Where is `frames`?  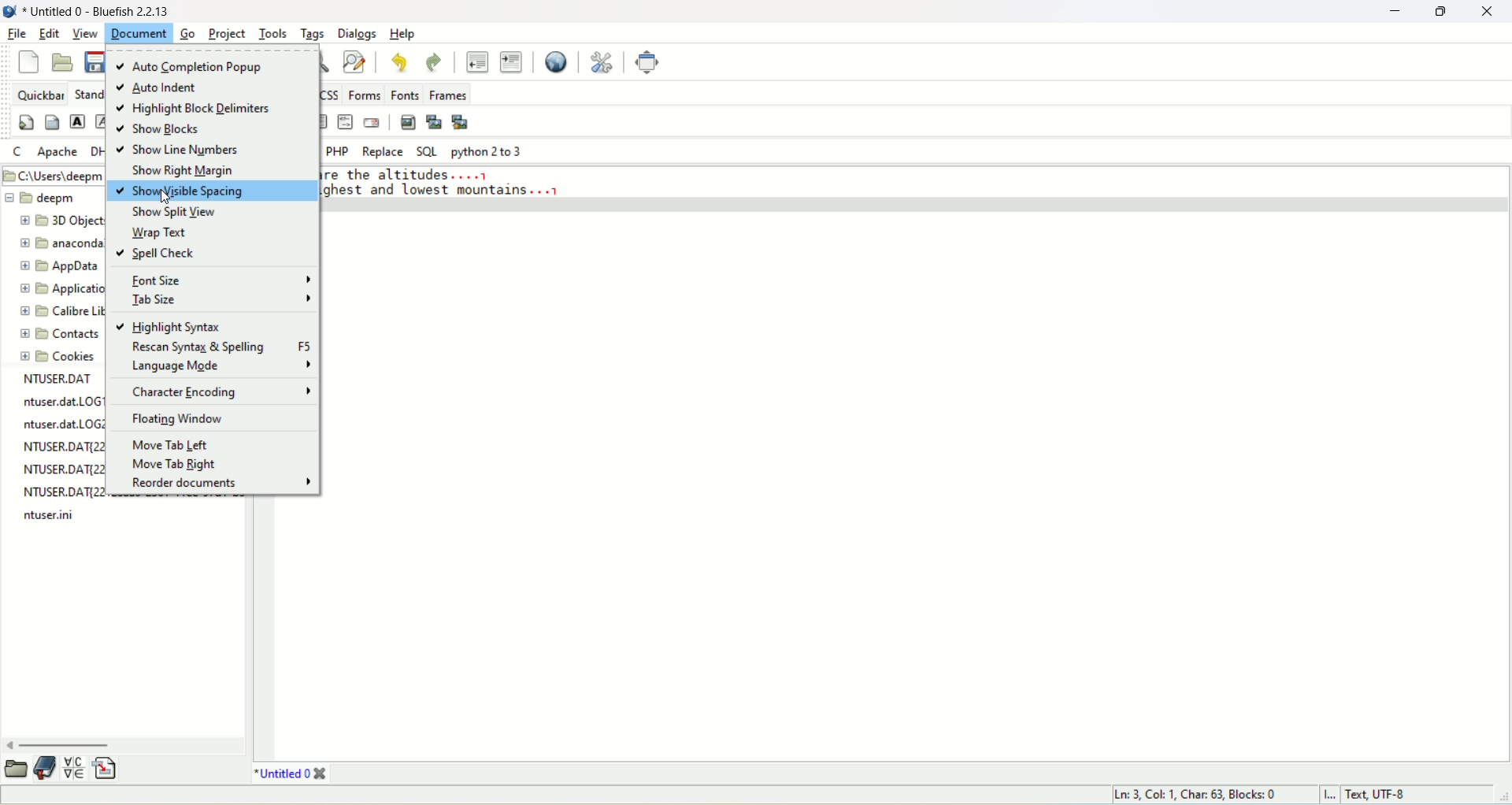
frames is located at coordinates (447, 93).